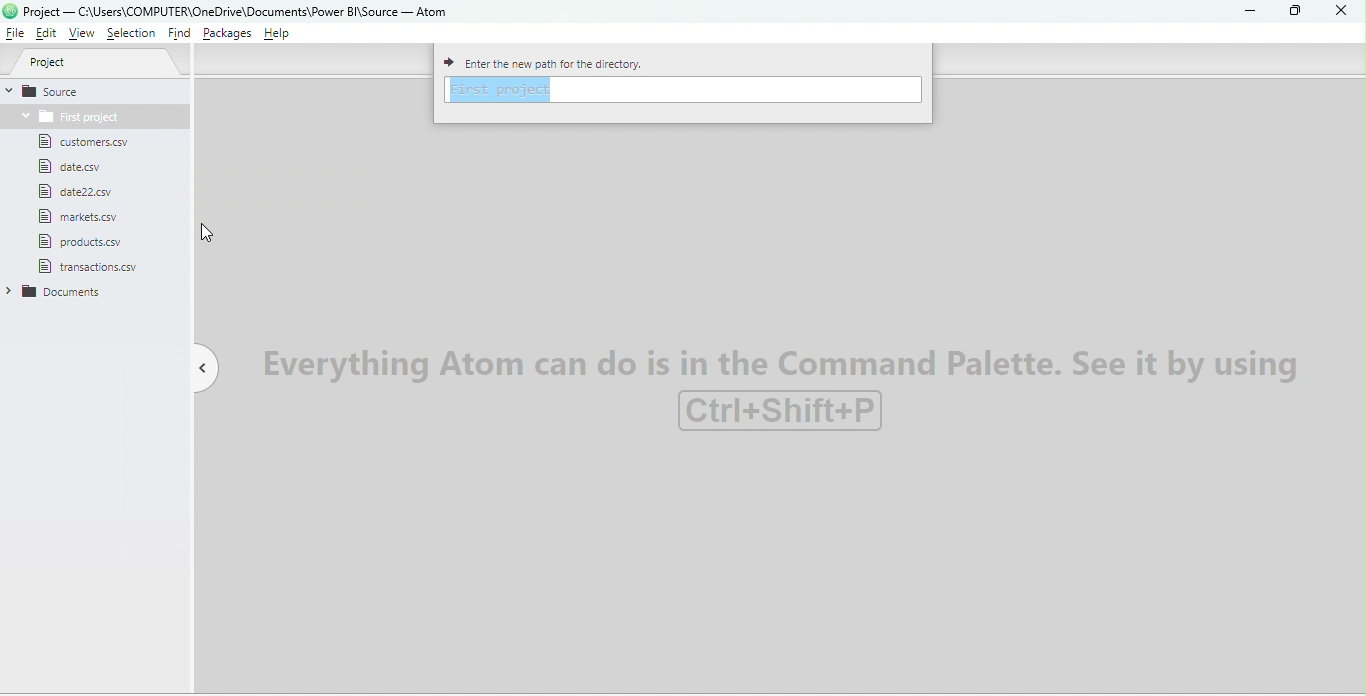 The width and height of the screenshot is (1366, 696). Describe the element at coordinates (15, 34) in the screenshot. I see `File` at that location.